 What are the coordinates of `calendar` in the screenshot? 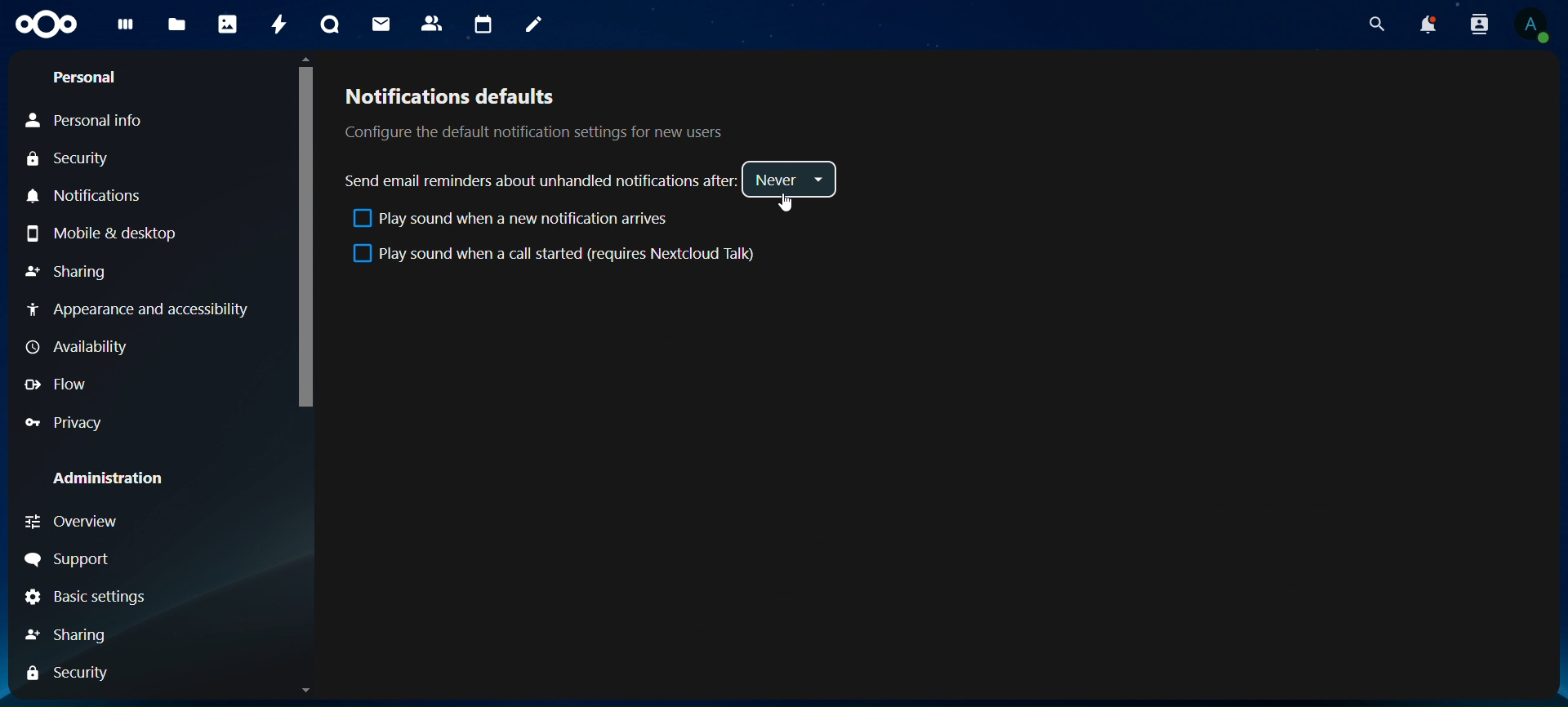 It's located at (481, 23).